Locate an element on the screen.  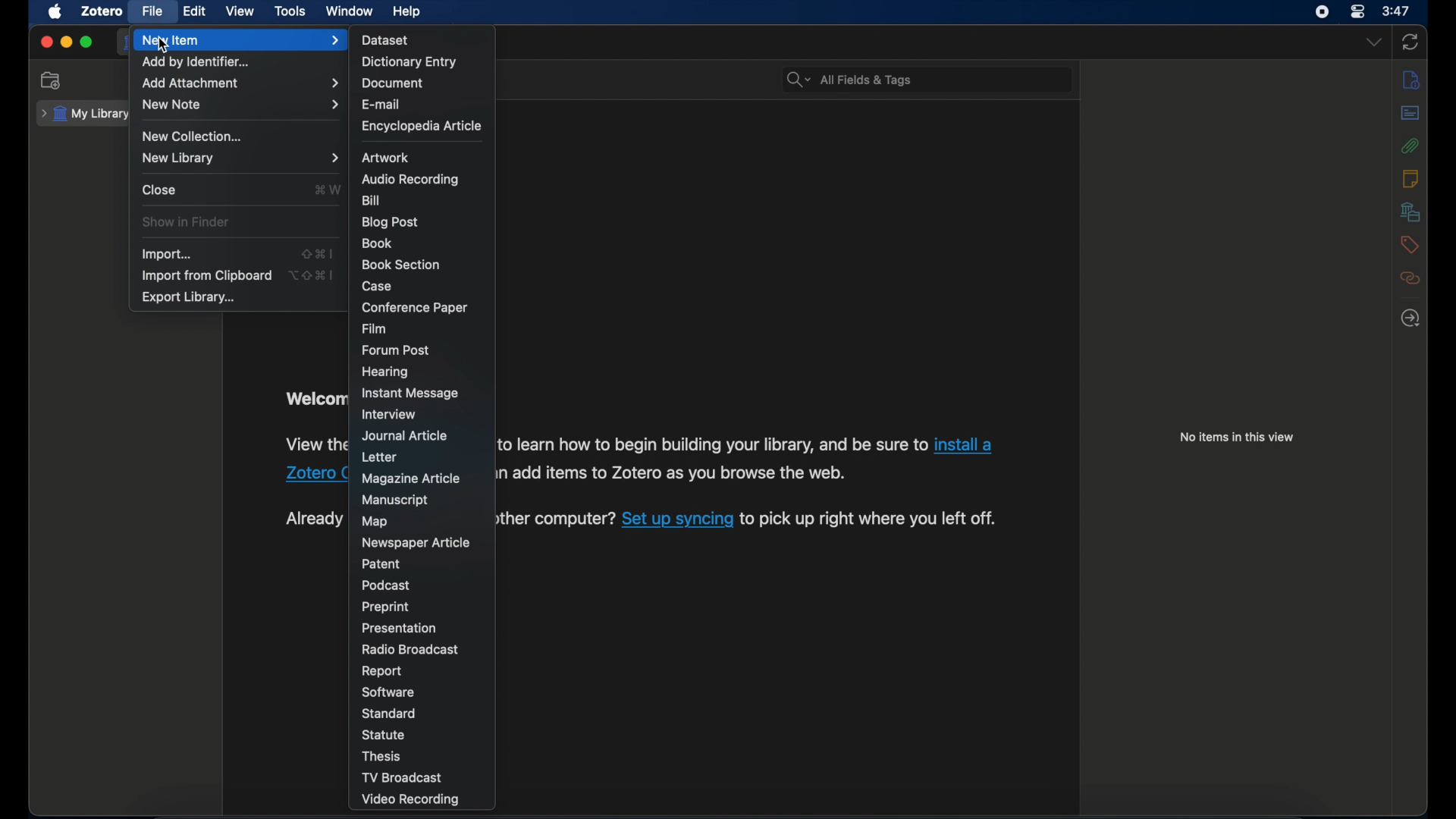
screen recorder is located at coordinates (1323, 12).